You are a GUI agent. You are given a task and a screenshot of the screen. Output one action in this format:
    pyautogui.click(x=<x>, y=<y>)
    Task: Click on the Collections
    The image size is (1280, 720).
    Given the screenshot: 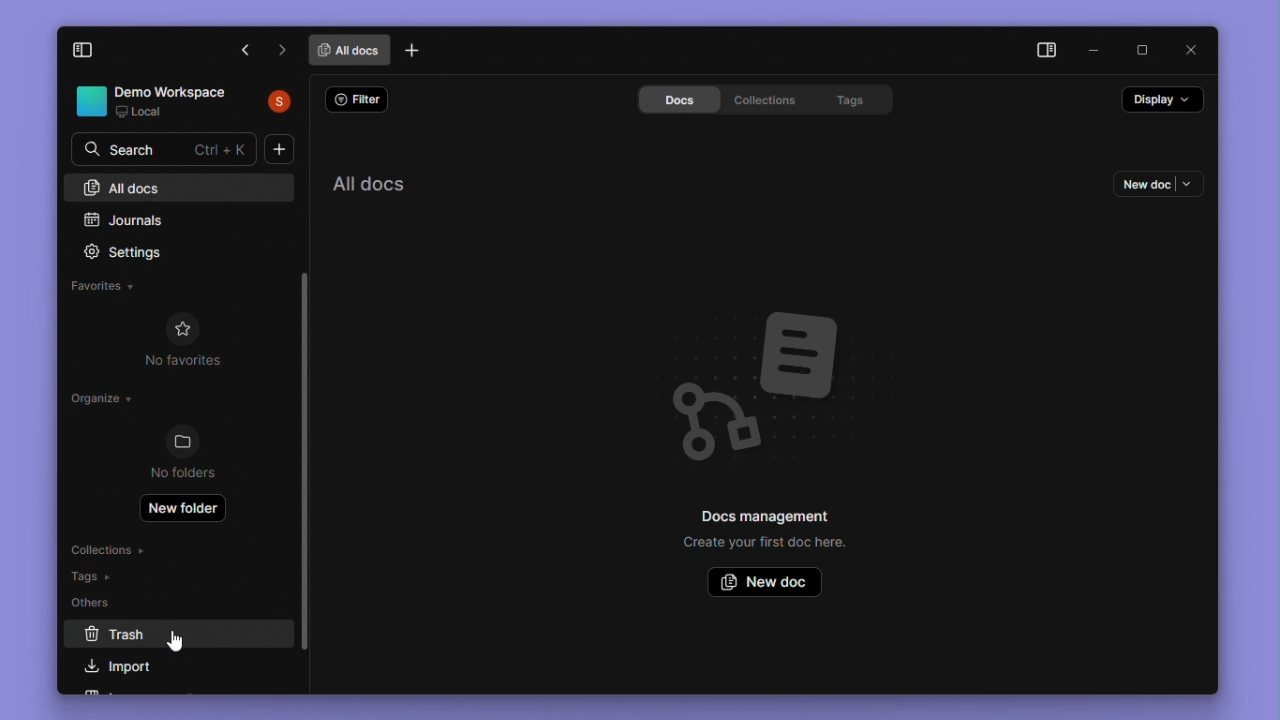 What is the action you would take?
    pyautogui.click(x=112, y=548)
    